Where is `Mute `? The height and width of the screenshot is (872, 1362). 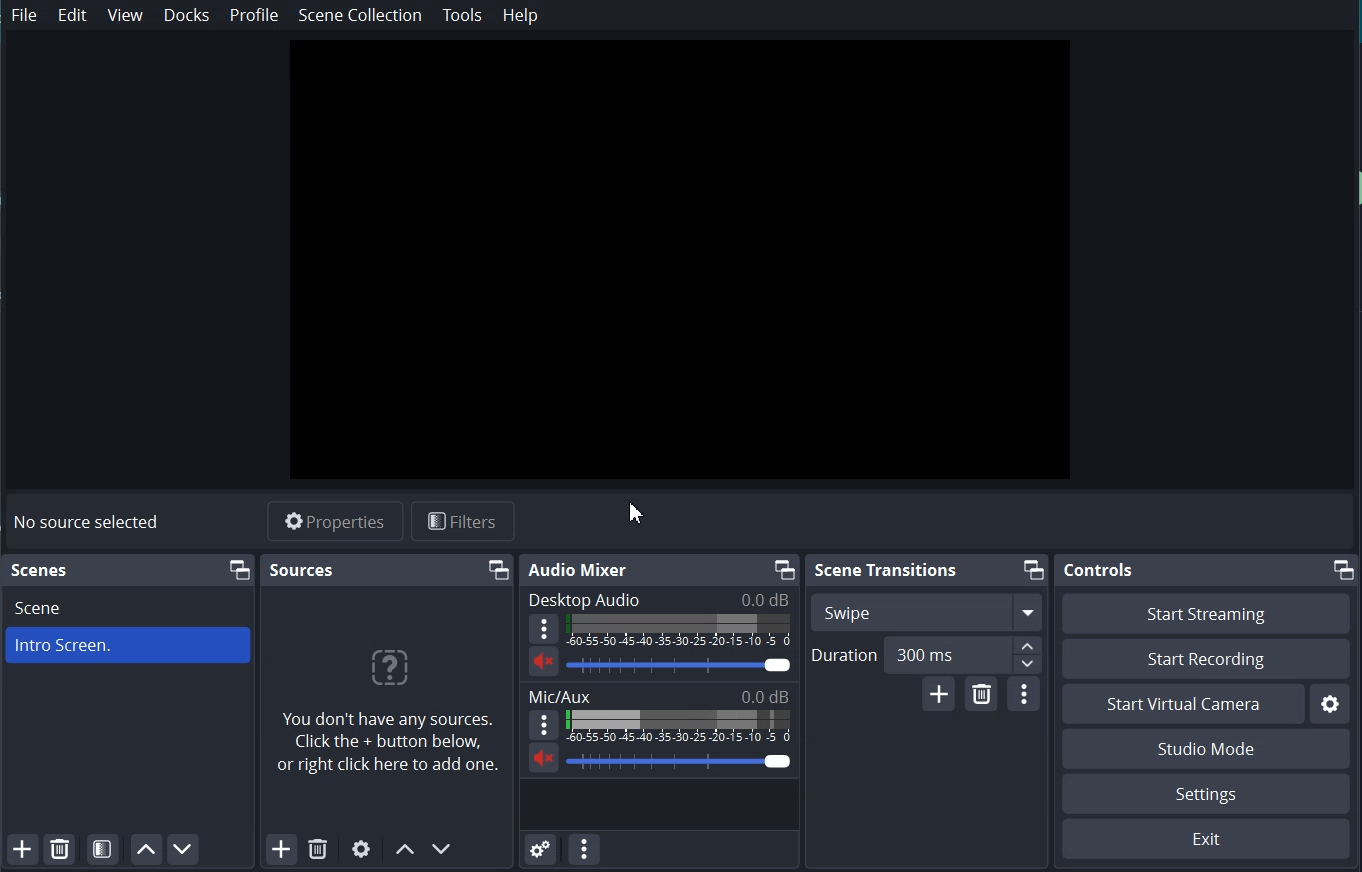
Mute  is located at coordinates (544, 757).